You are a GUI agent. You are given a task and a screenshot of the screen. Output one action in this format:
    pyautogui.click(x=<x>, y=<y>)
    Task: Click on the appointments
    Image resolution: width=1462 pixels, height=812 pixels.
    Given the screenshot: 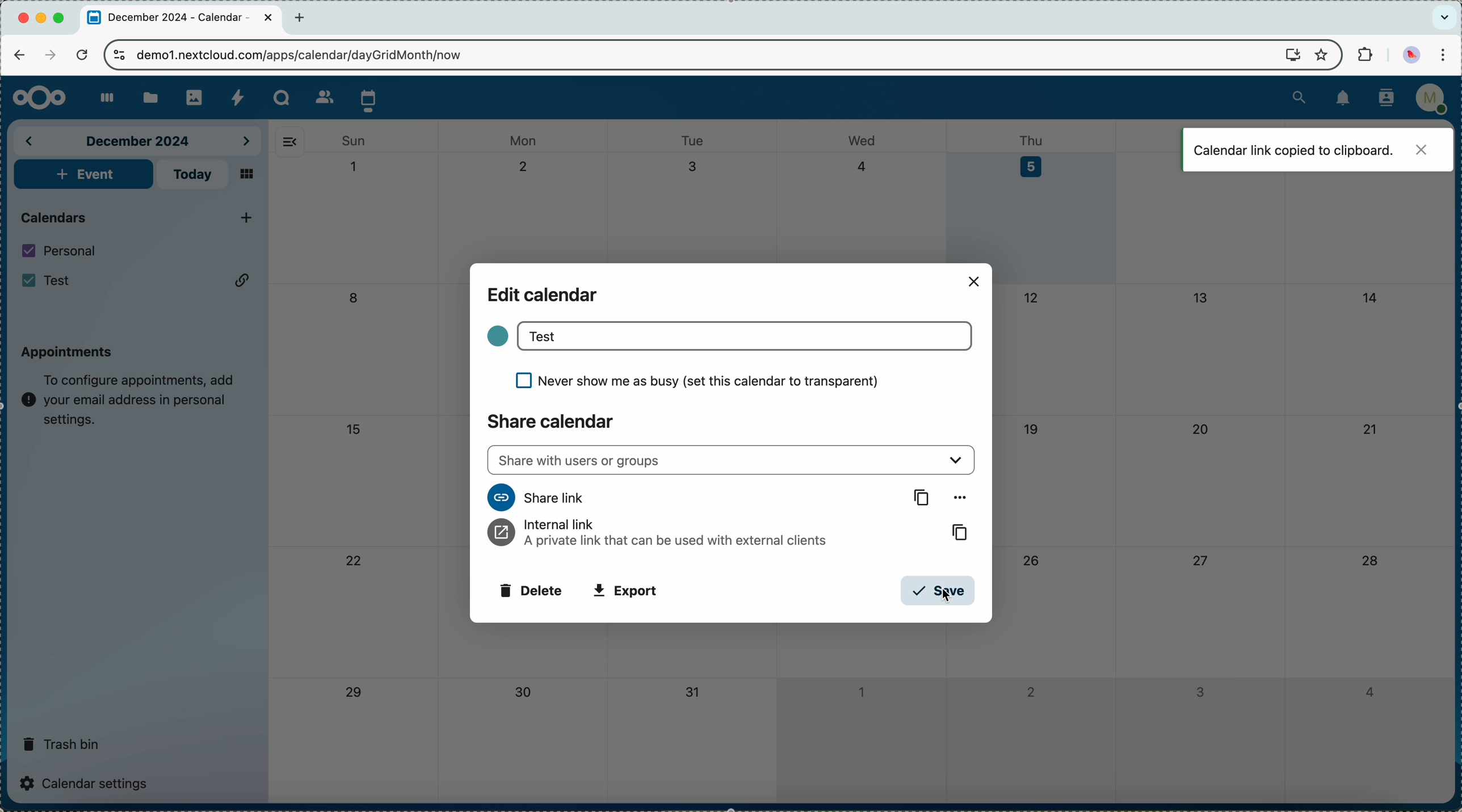 What is the action you would take?
    pyautogui.click(x=68, y=349)
    